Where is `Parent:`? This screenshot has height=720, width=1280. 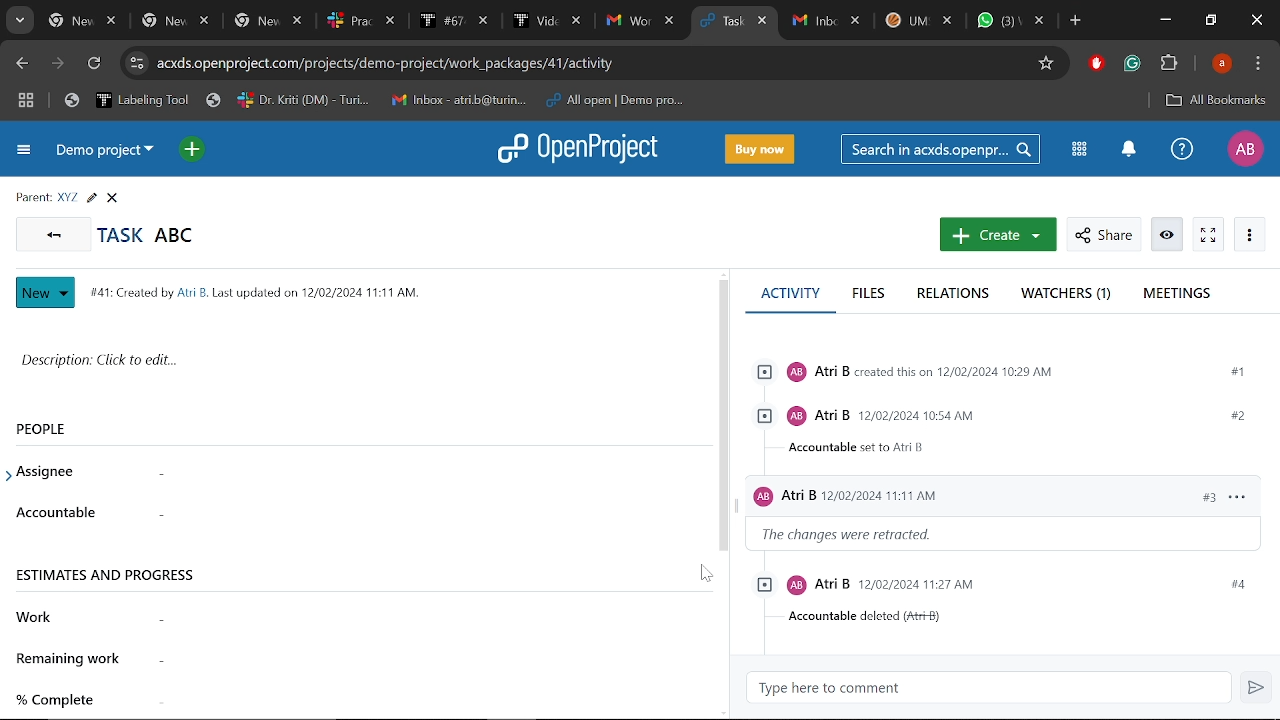 Parent: is located at coordinates (33, 198).